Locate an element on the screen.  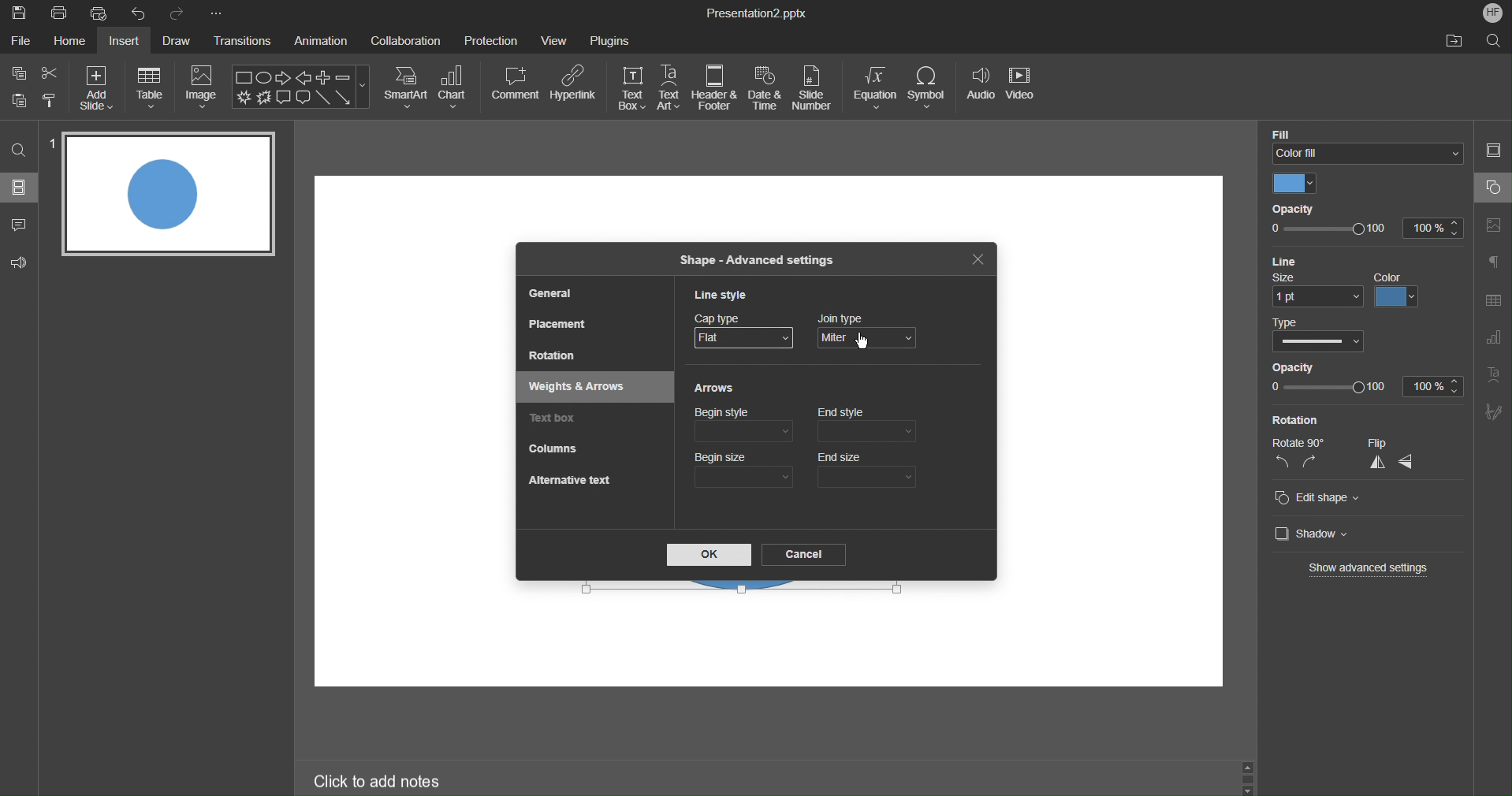
 is located at coordinates (20, 99).